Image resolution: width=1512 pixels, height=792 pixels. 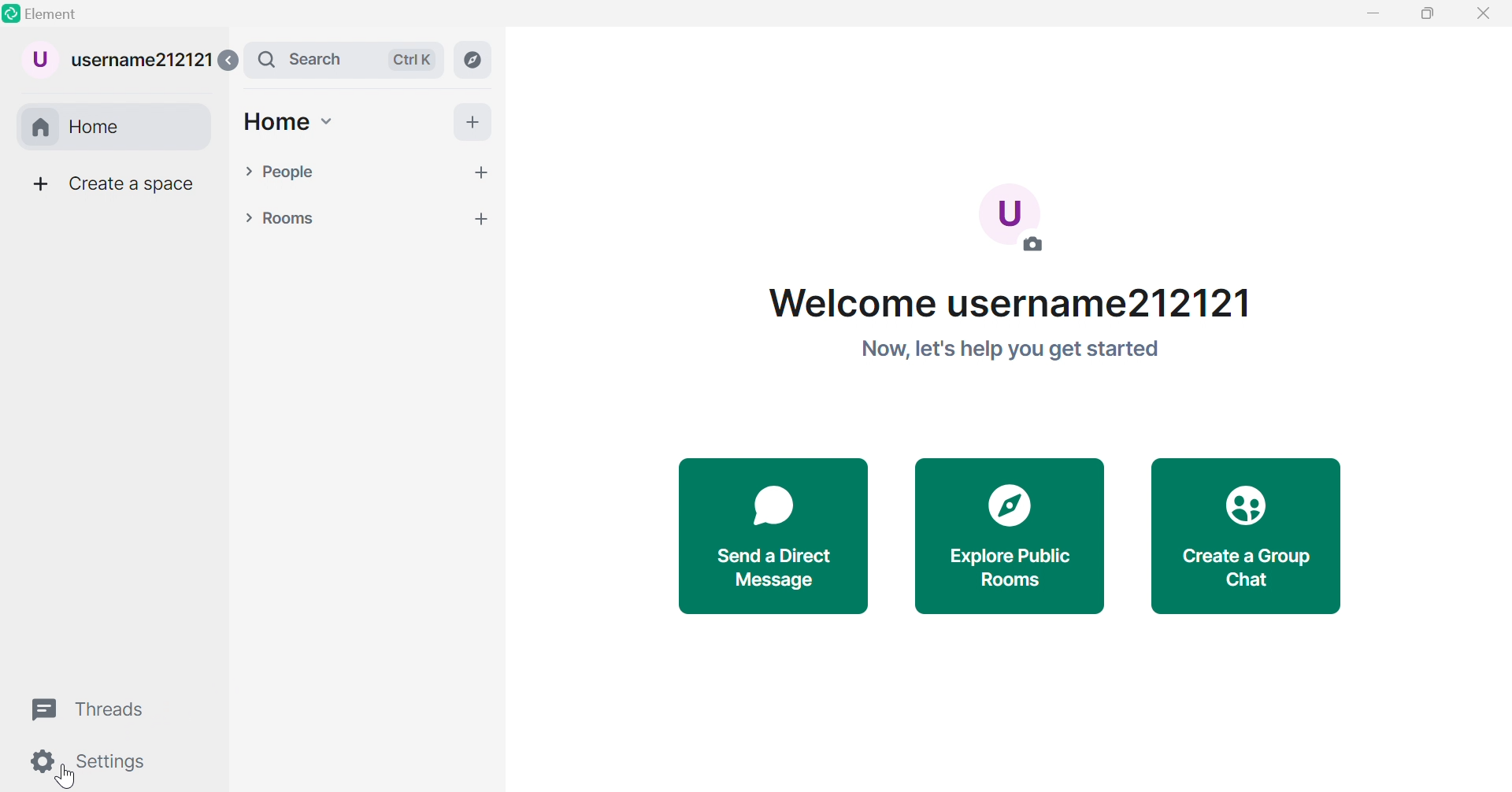 I want to click on Icon, so click(x=1247, y=508).